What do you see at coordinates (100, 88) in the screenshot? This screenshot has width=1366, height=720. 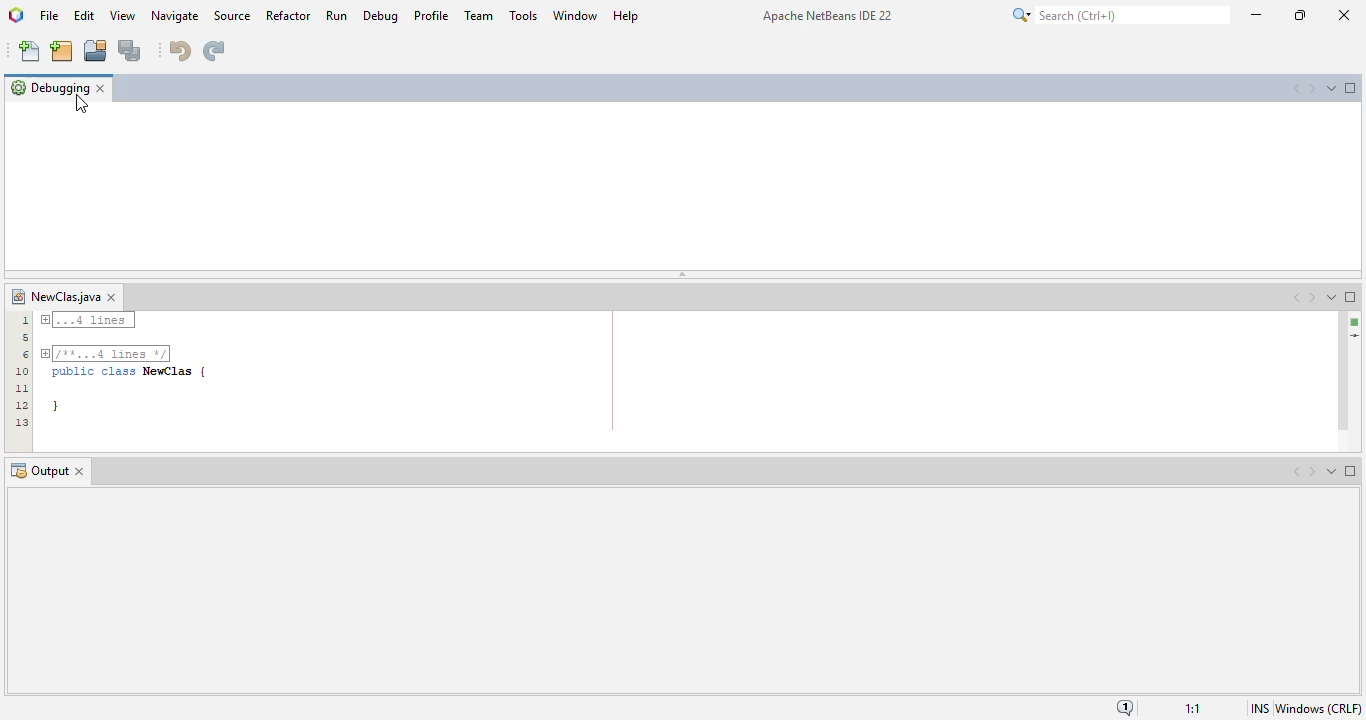 I see `close window` at bounding box center [100, 88].